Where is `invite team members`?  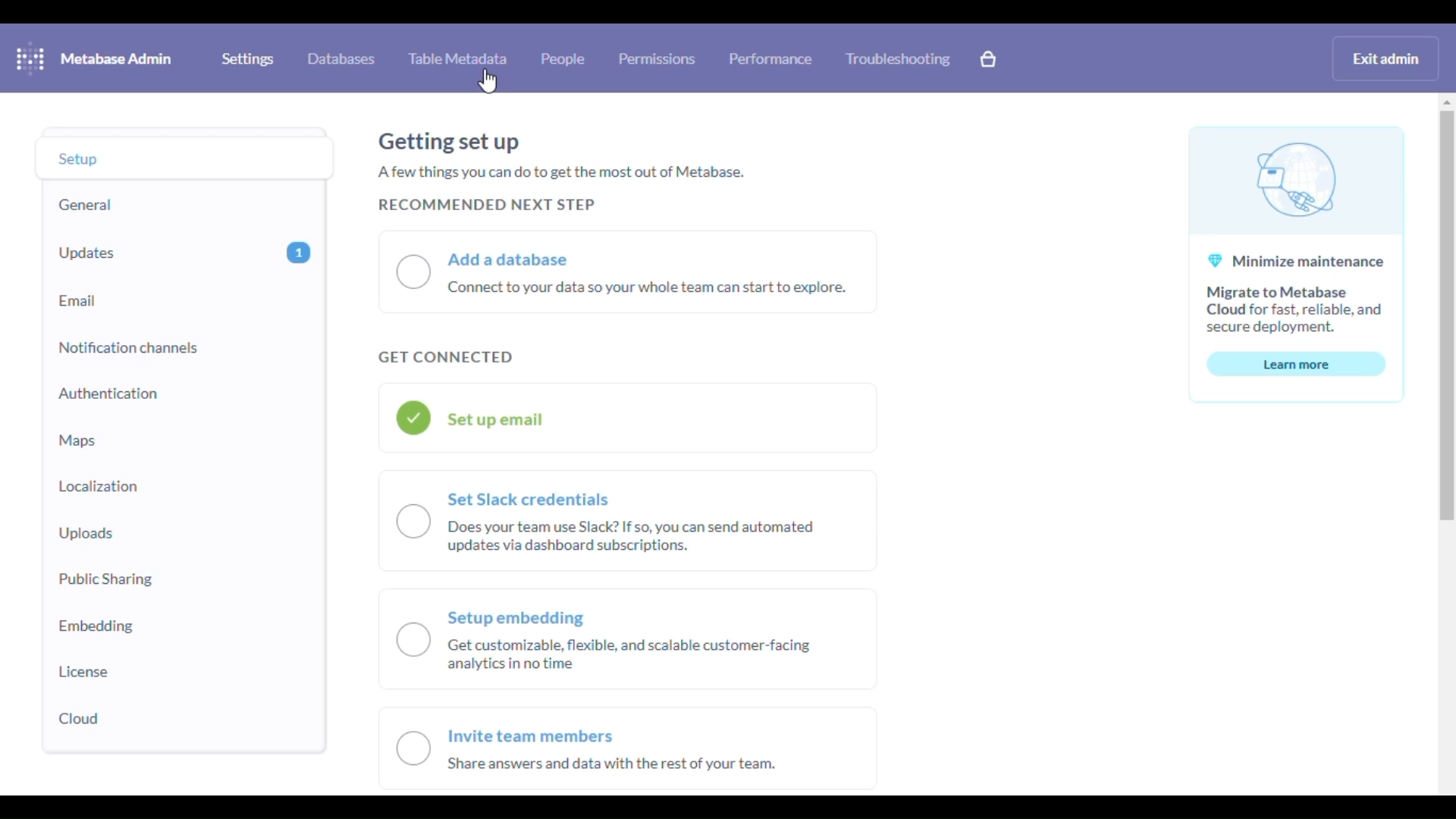 invite team members is located at coordinates (625, 752).